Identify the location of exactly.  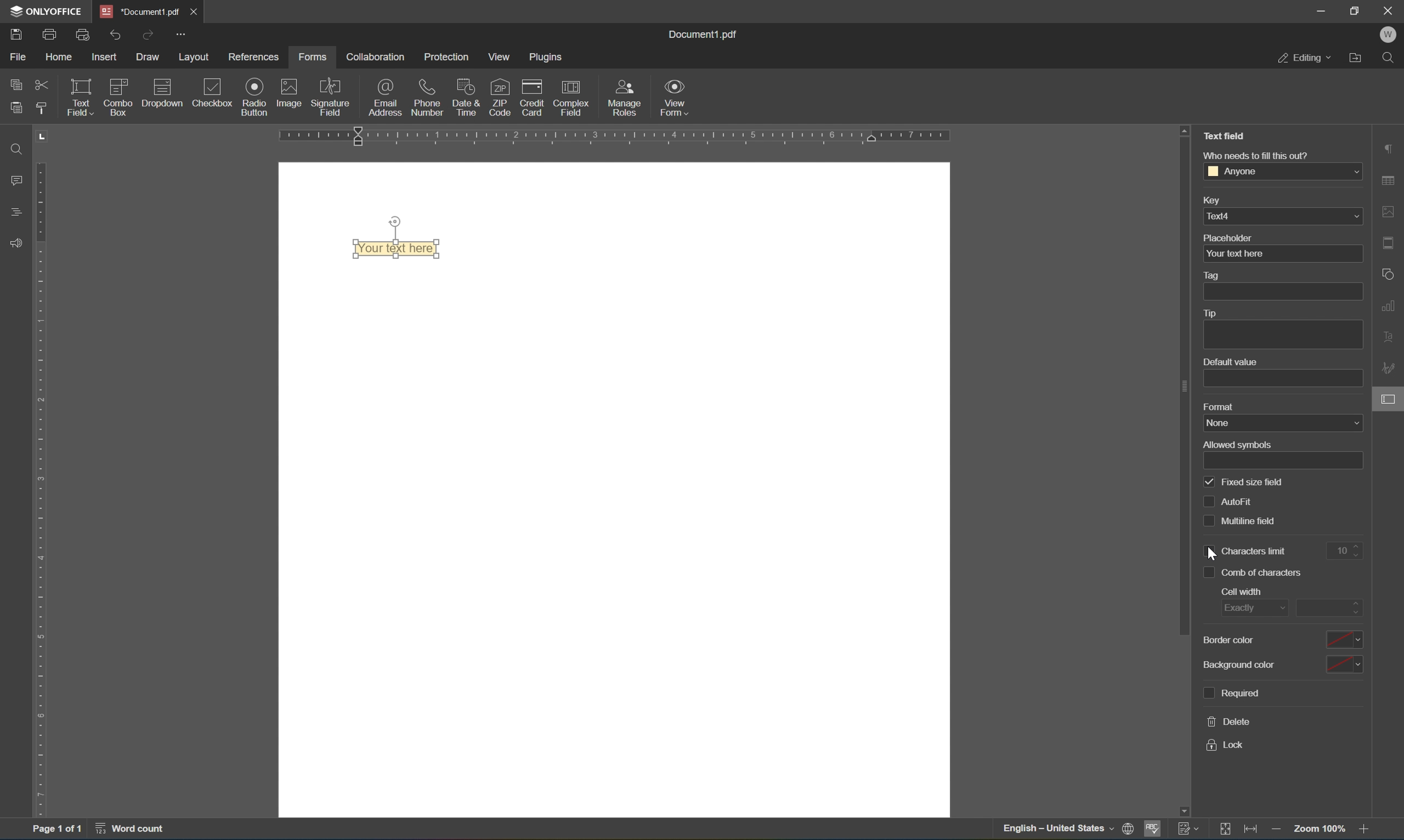
(1254, 606).